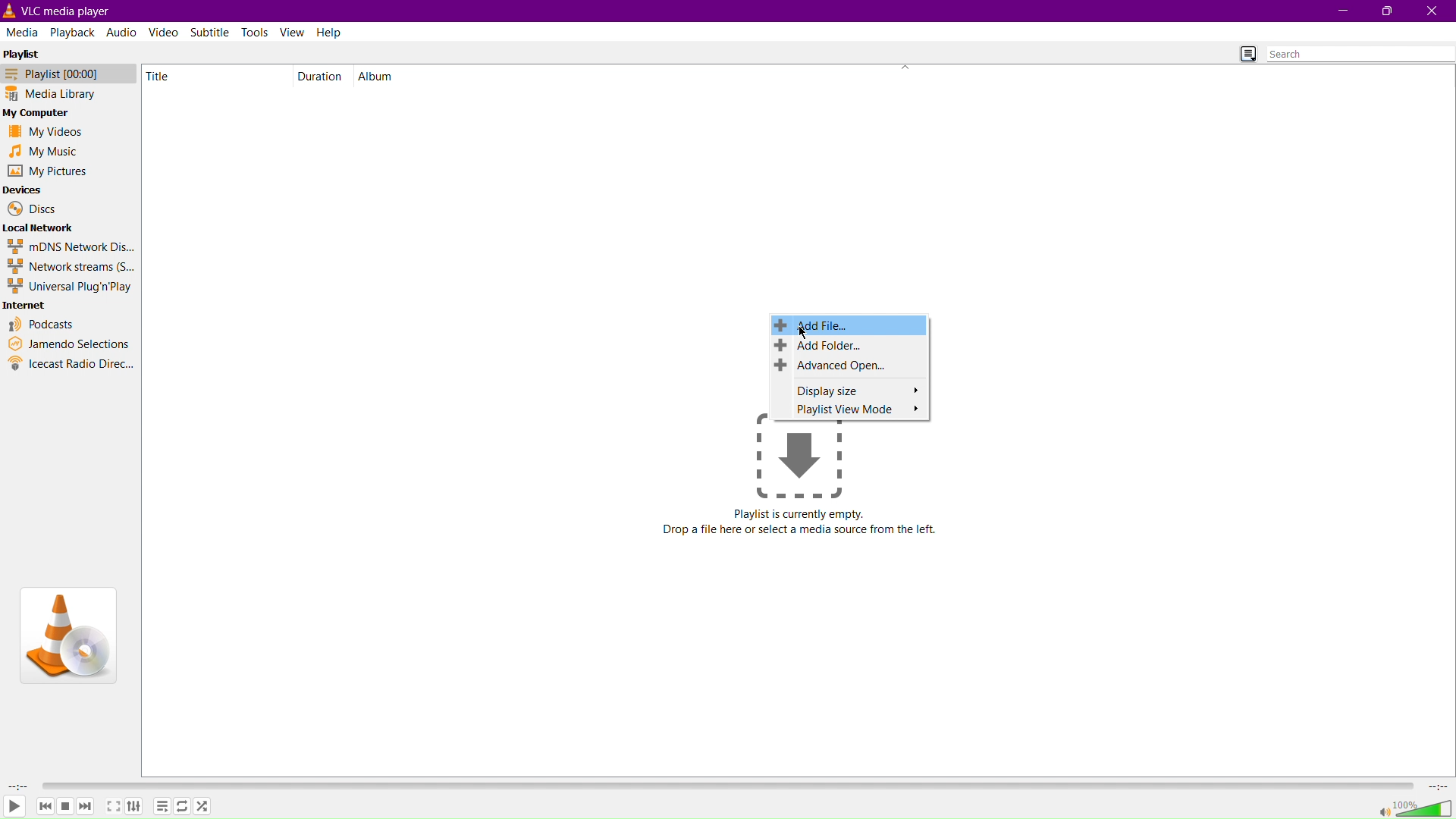  I want to click on Icecast Radio Directory, so click(71, 364).